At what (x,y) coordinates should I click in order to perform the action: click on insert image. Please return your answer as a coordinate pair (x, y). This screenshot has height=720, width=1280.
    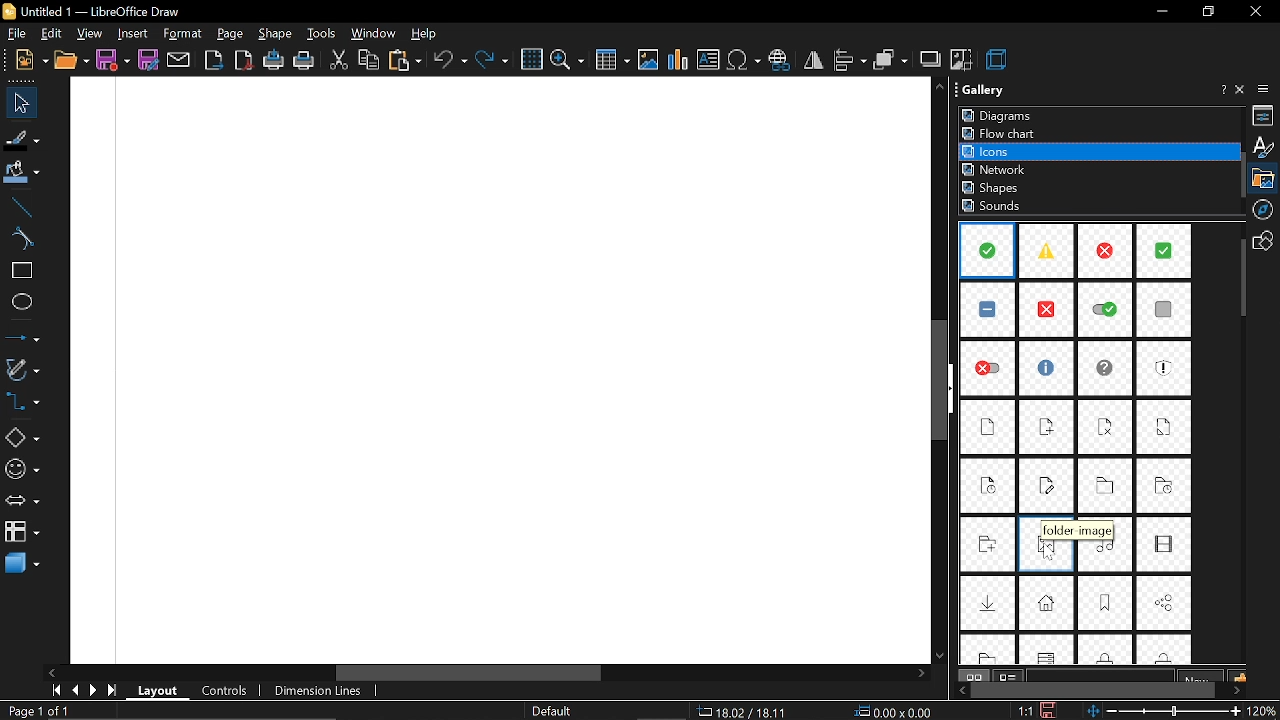
    Looking at the image, I should click on (648, 61).